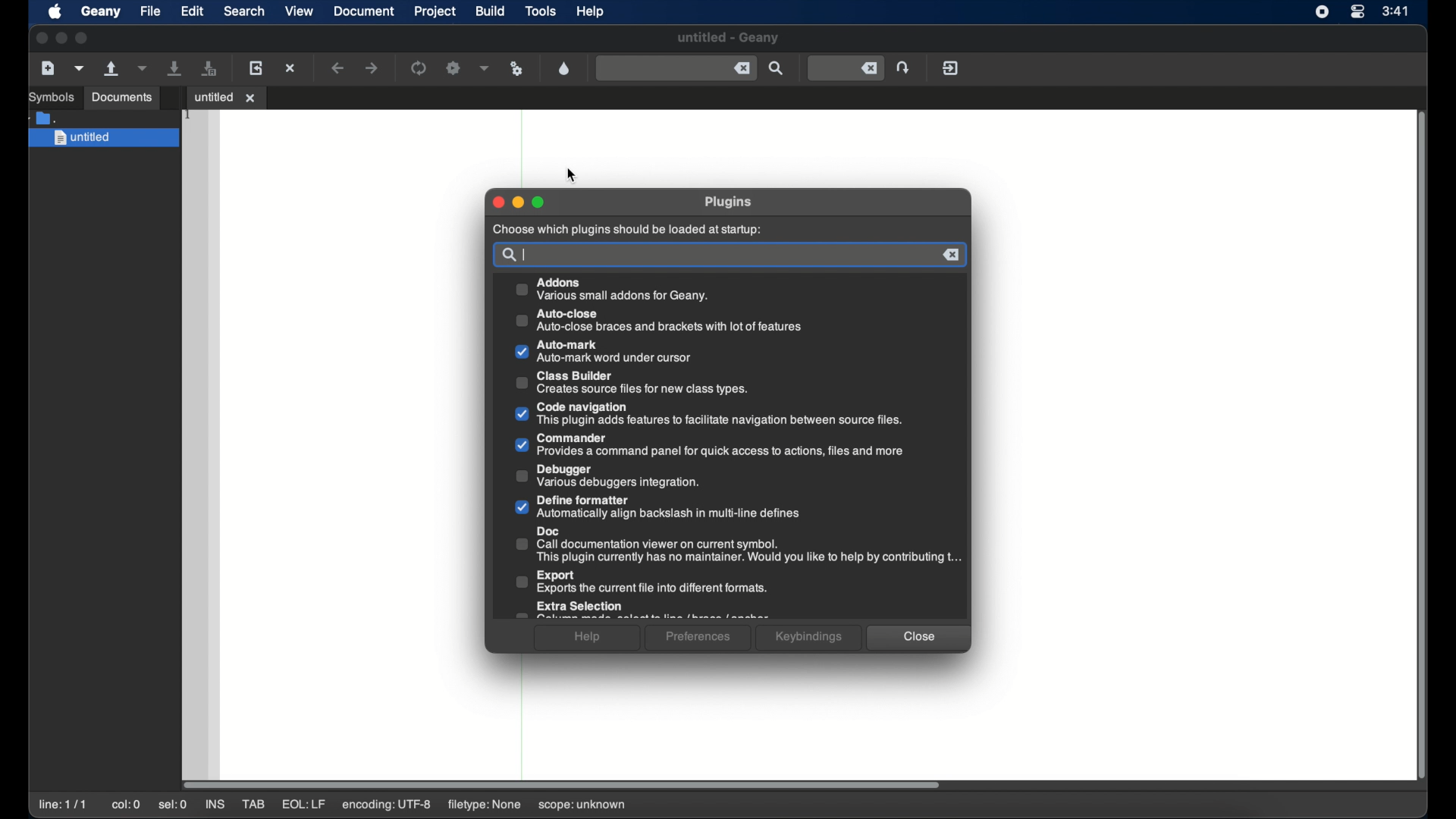  Describe the element at coordinates (189, 115) in the screenshot. I see `1` at that location.